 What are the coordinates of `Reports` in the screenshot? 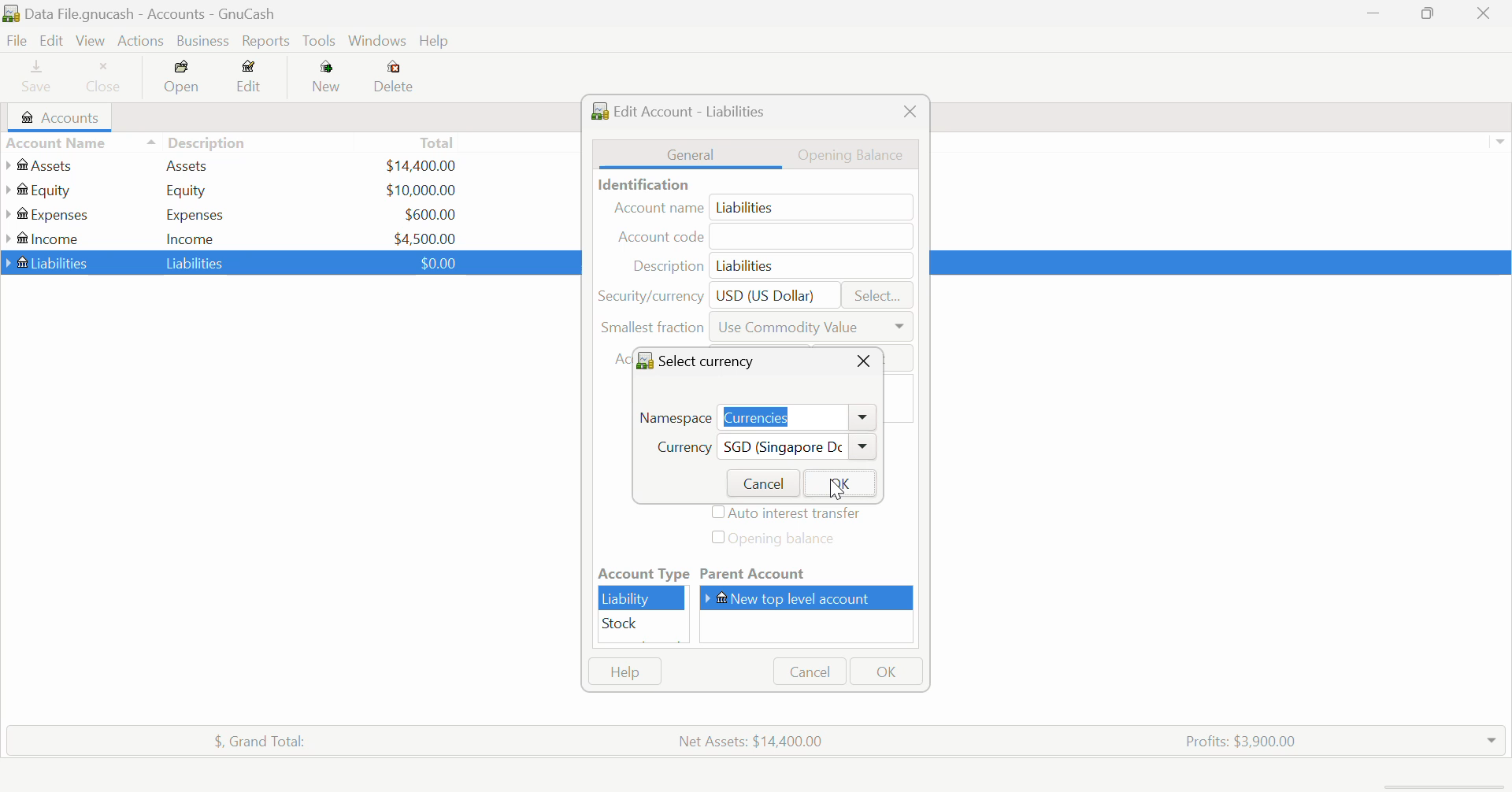 It's located at (269, 41).